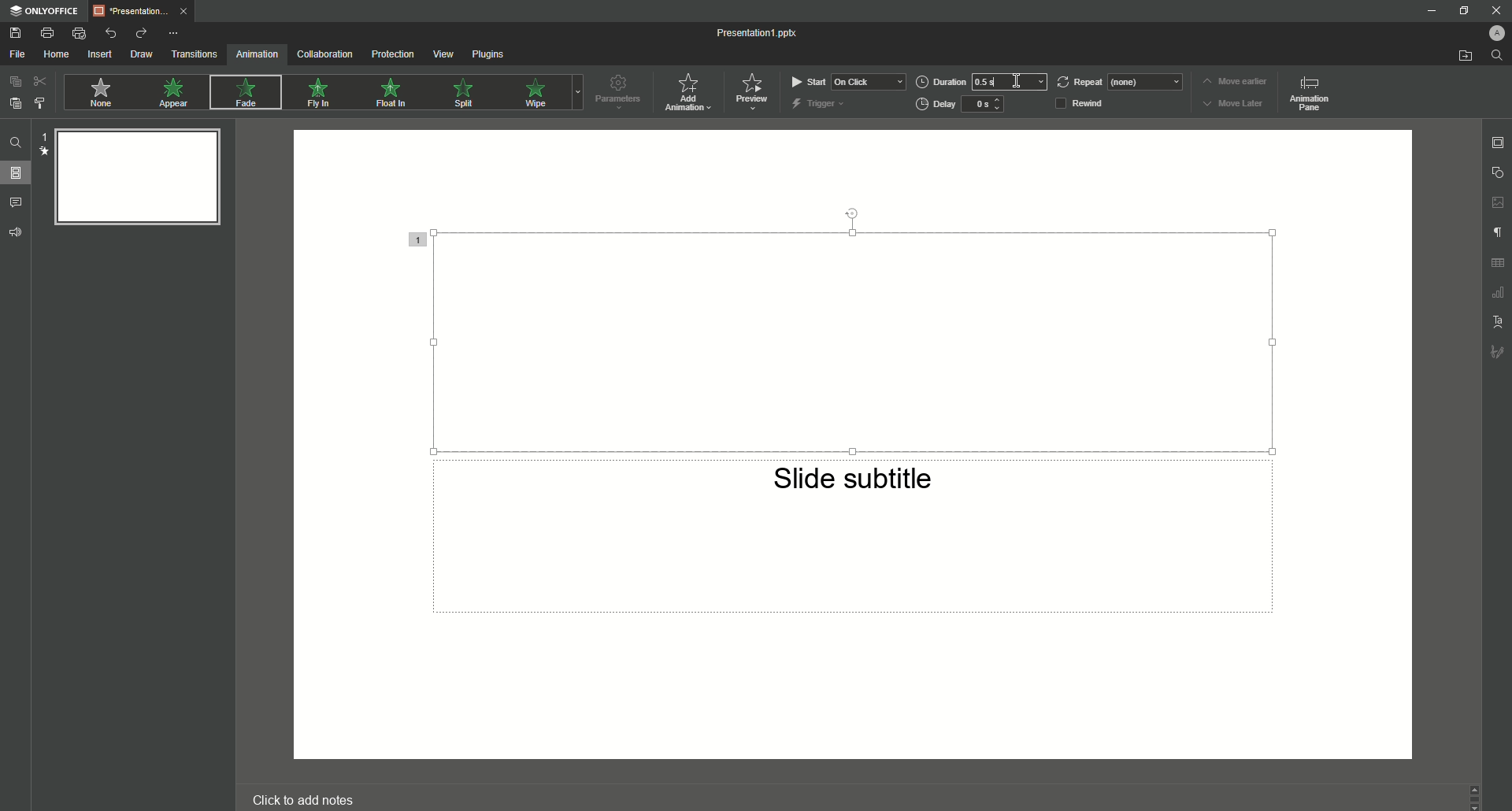  I want to click on View, so click(443, 54).